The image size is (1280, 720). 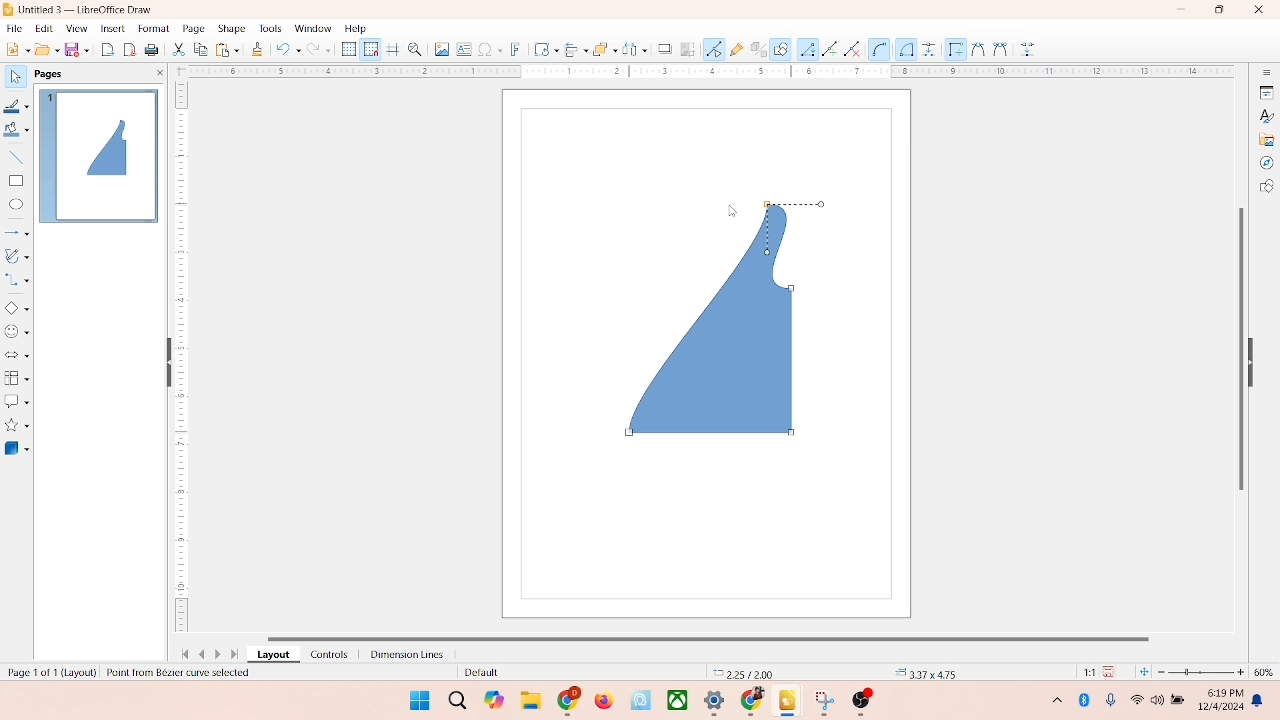 What do you see at coordinates (599, 47) in the screenshot?
I see `arrange` at bounding box center [599, 47].